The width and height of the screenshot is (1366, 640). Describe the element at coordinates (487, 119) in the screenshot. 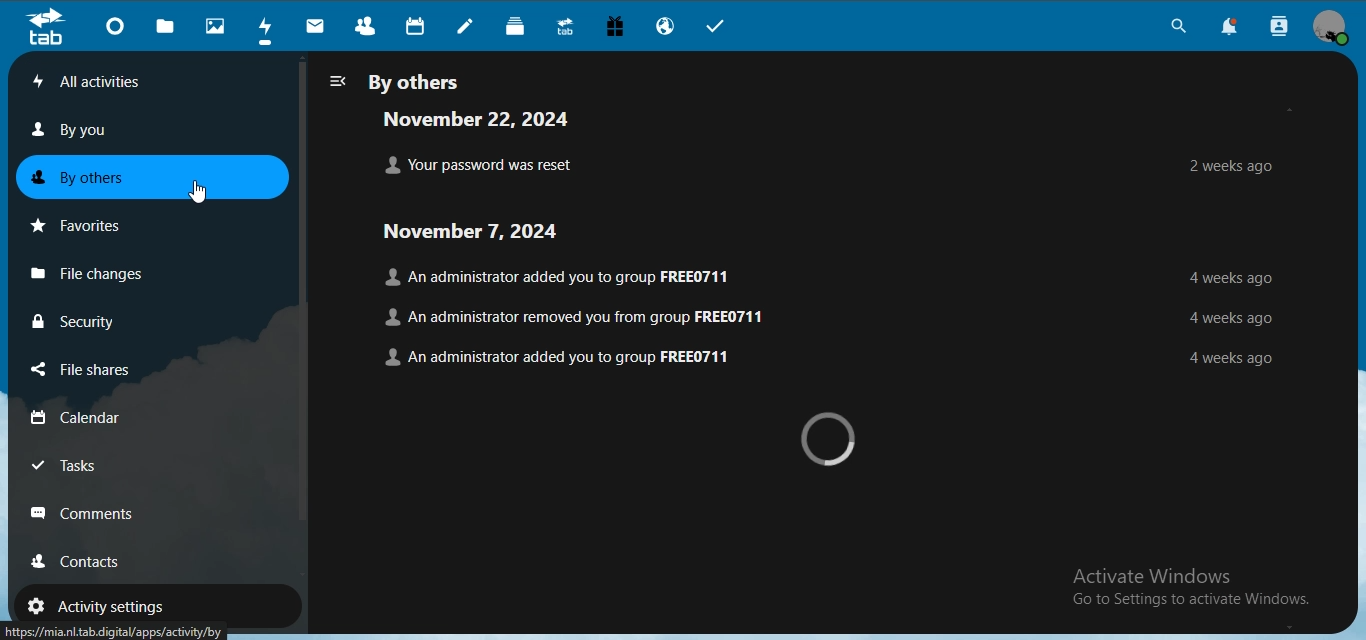

I see `November 22, 2024` at that location.